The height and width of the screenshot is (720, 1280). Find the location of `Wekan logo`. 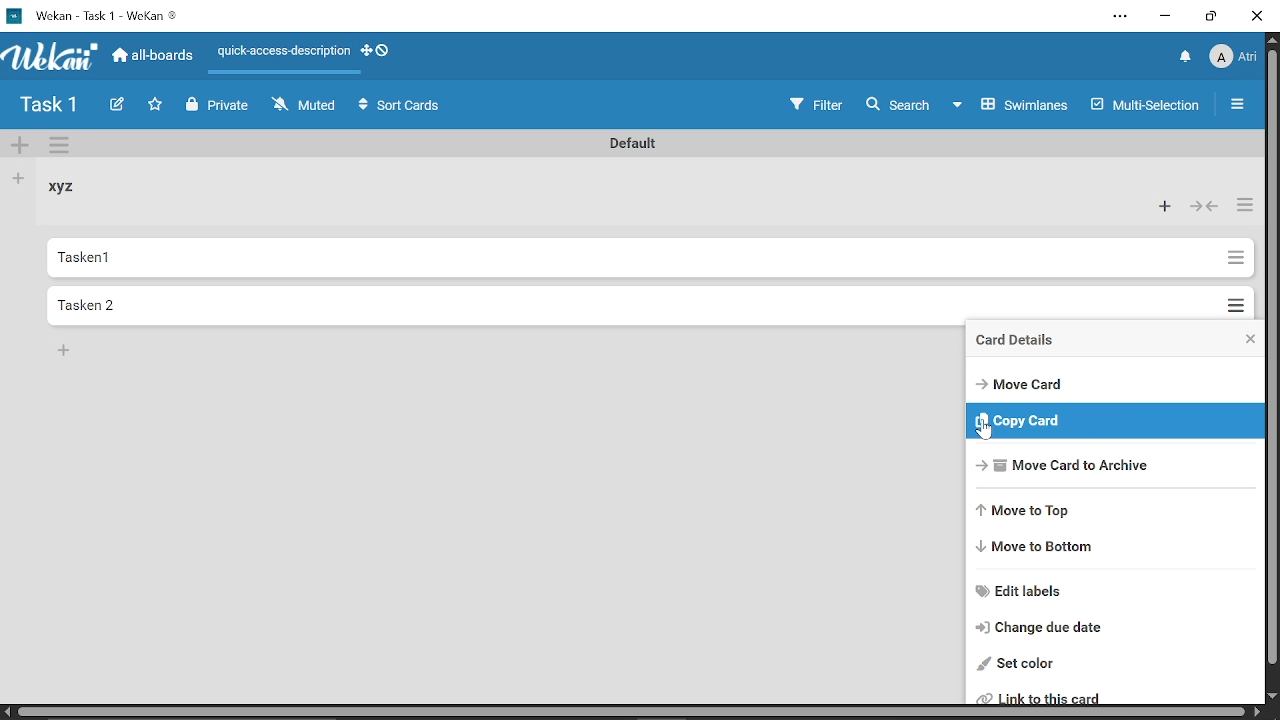

Wekan logo is located at coordinates (52, 58).